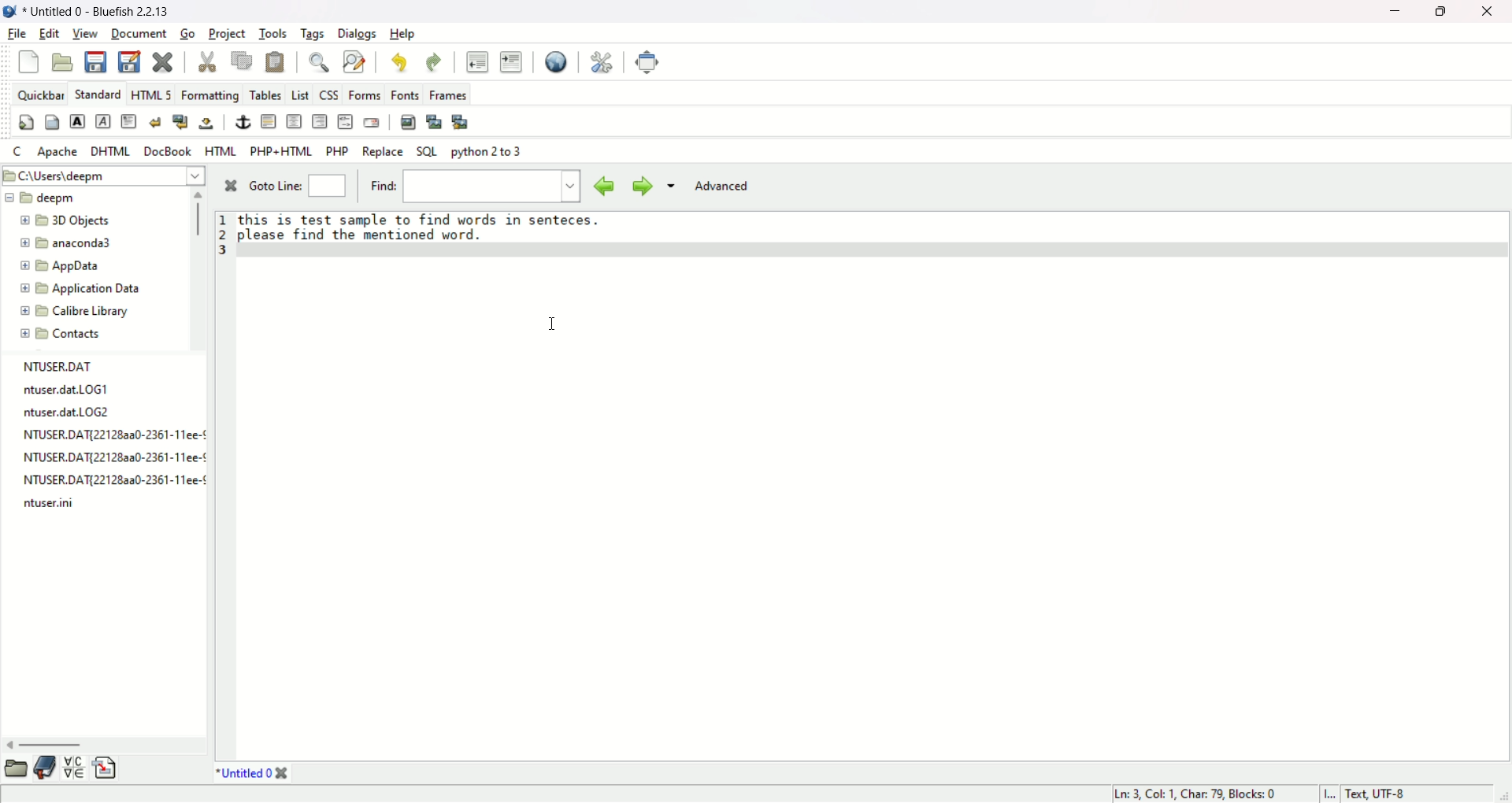 The height and width of the screenshot is (803, 1512). What do you see at coordinates (382, 186) in the screenshot?
I see `find` at bounding box center [382, 186].